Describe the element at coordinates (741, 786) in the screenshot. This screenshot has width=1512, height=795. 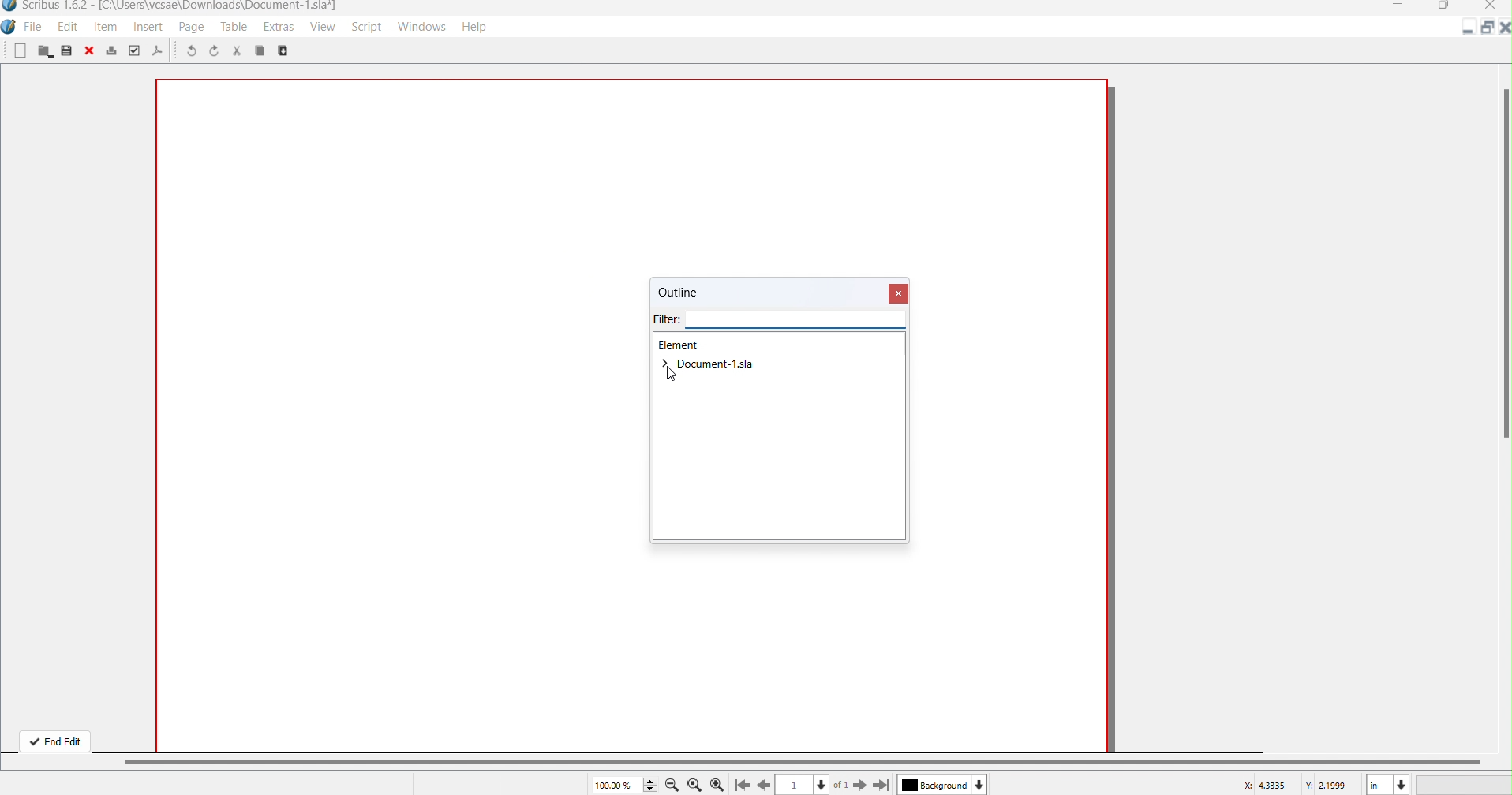
I see `go to top` at that location.